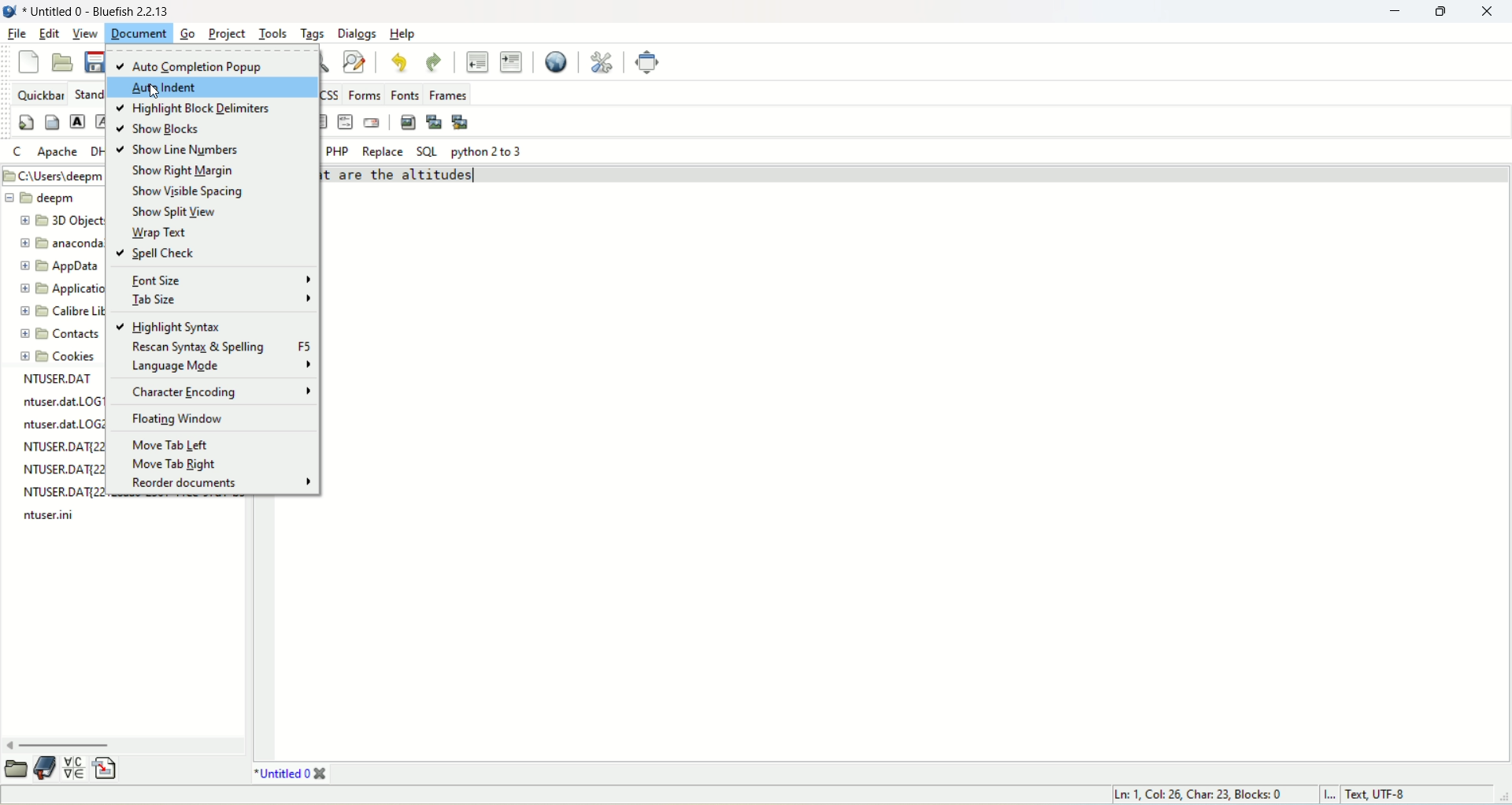 The width and height of the screenshot is (1512, 805). I want to click on email, so click(372, 125).